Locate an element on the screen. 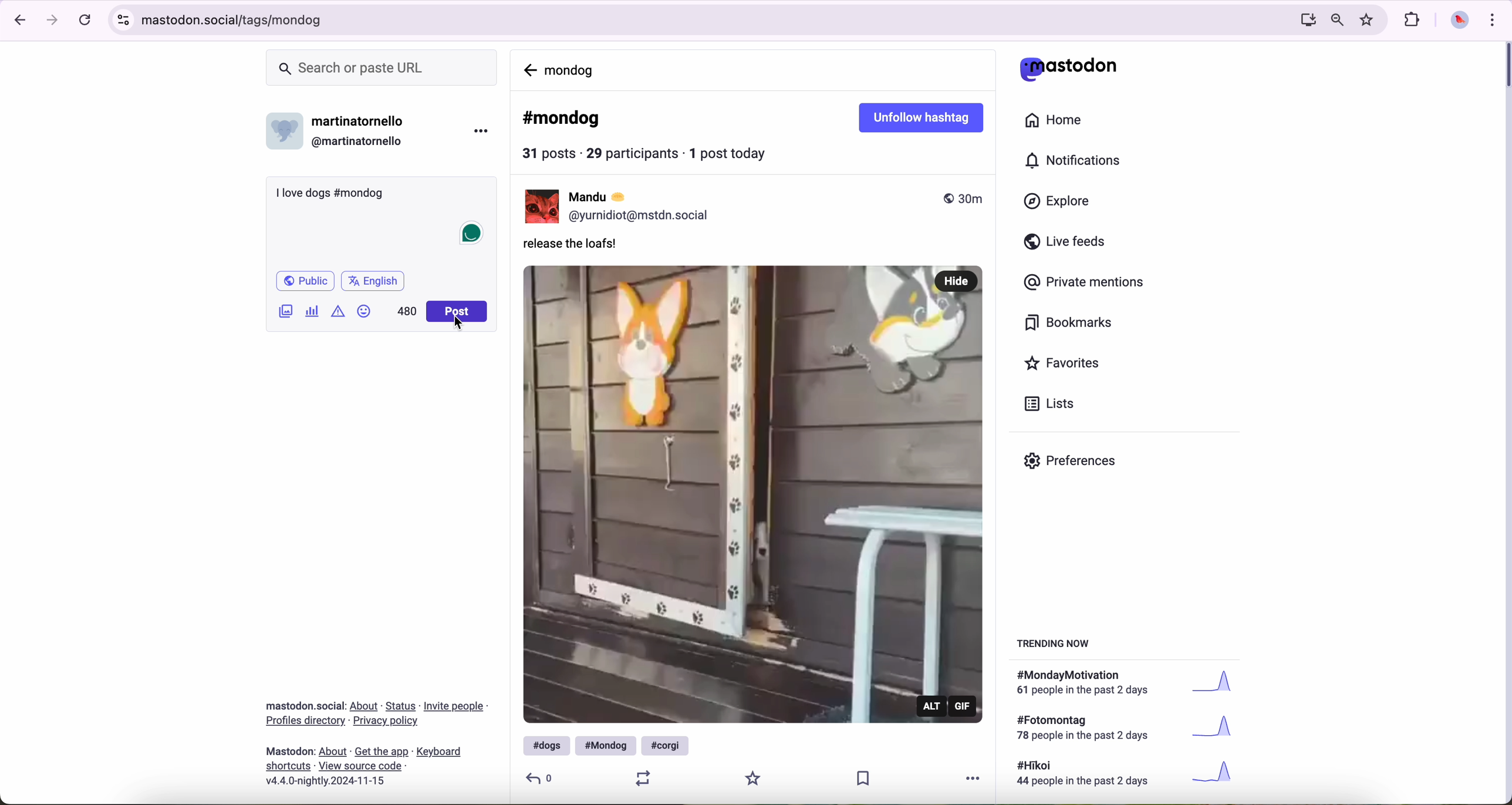 This screenshot has height=805, width=1512. trending is located at coordinates (1057, 646).